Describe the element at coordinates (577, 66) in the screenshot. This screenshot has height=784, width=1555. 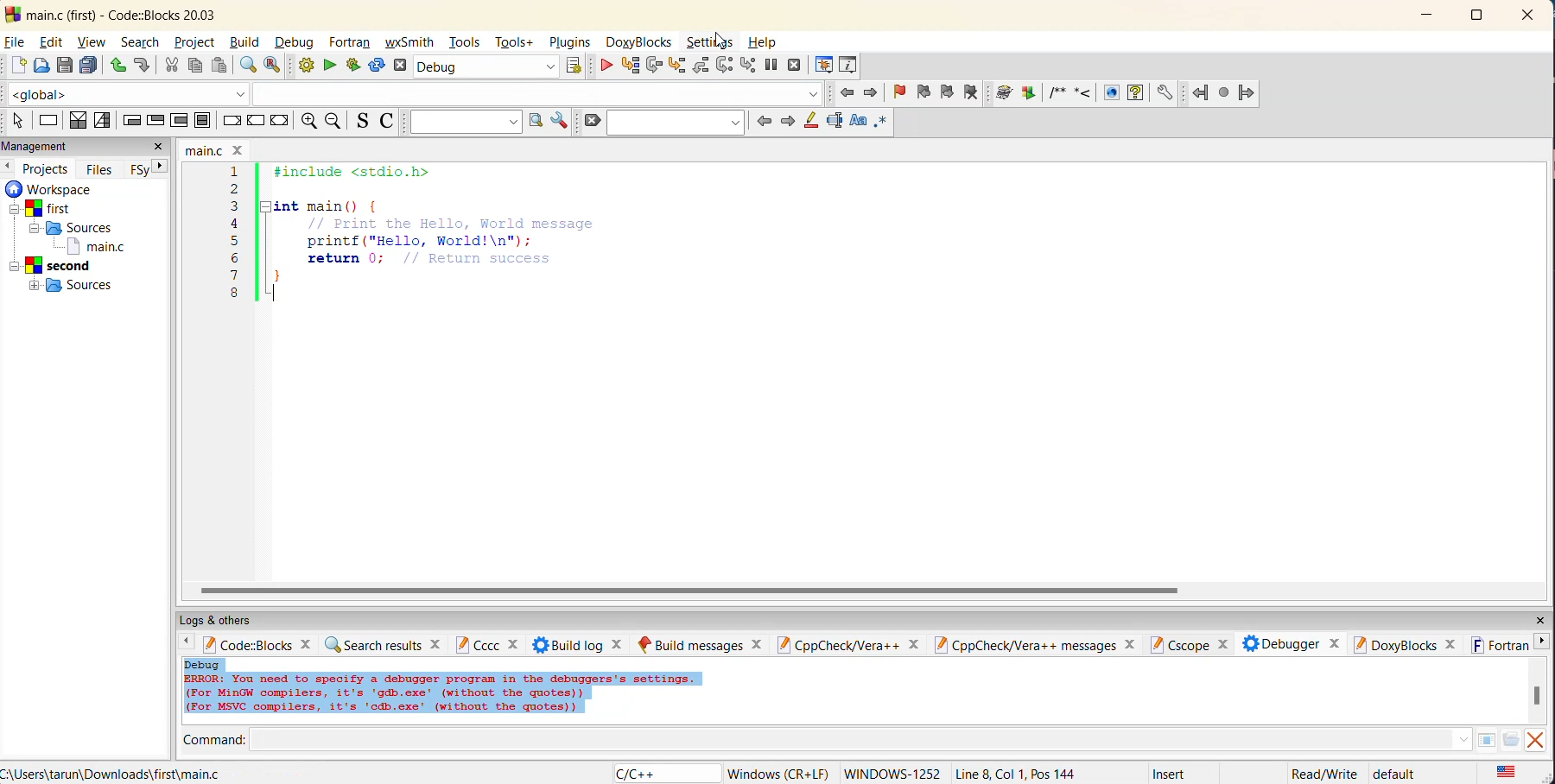
I see `show target select dialog` at that location.